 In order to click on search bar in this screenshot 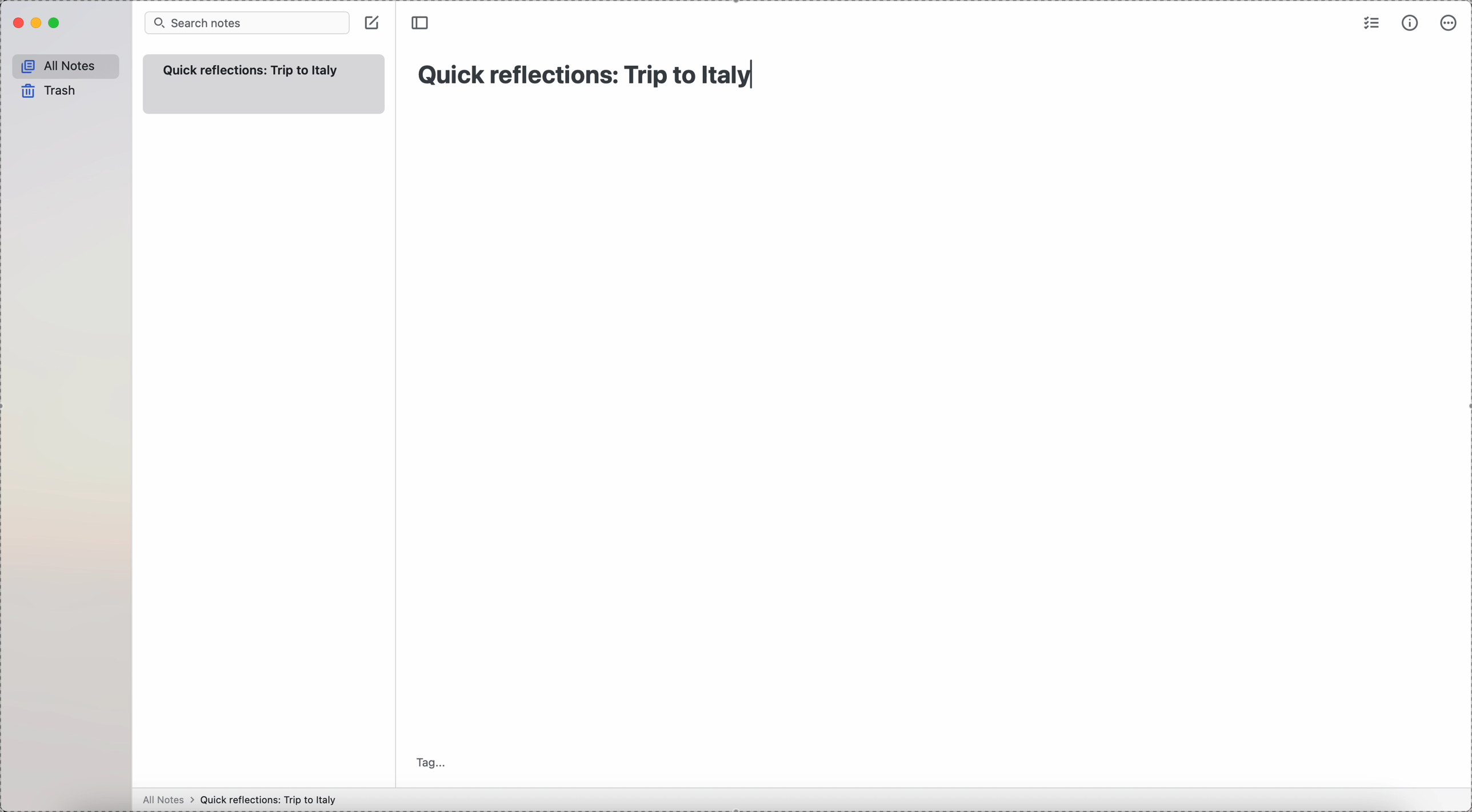, I will do `click(247, 22)`.